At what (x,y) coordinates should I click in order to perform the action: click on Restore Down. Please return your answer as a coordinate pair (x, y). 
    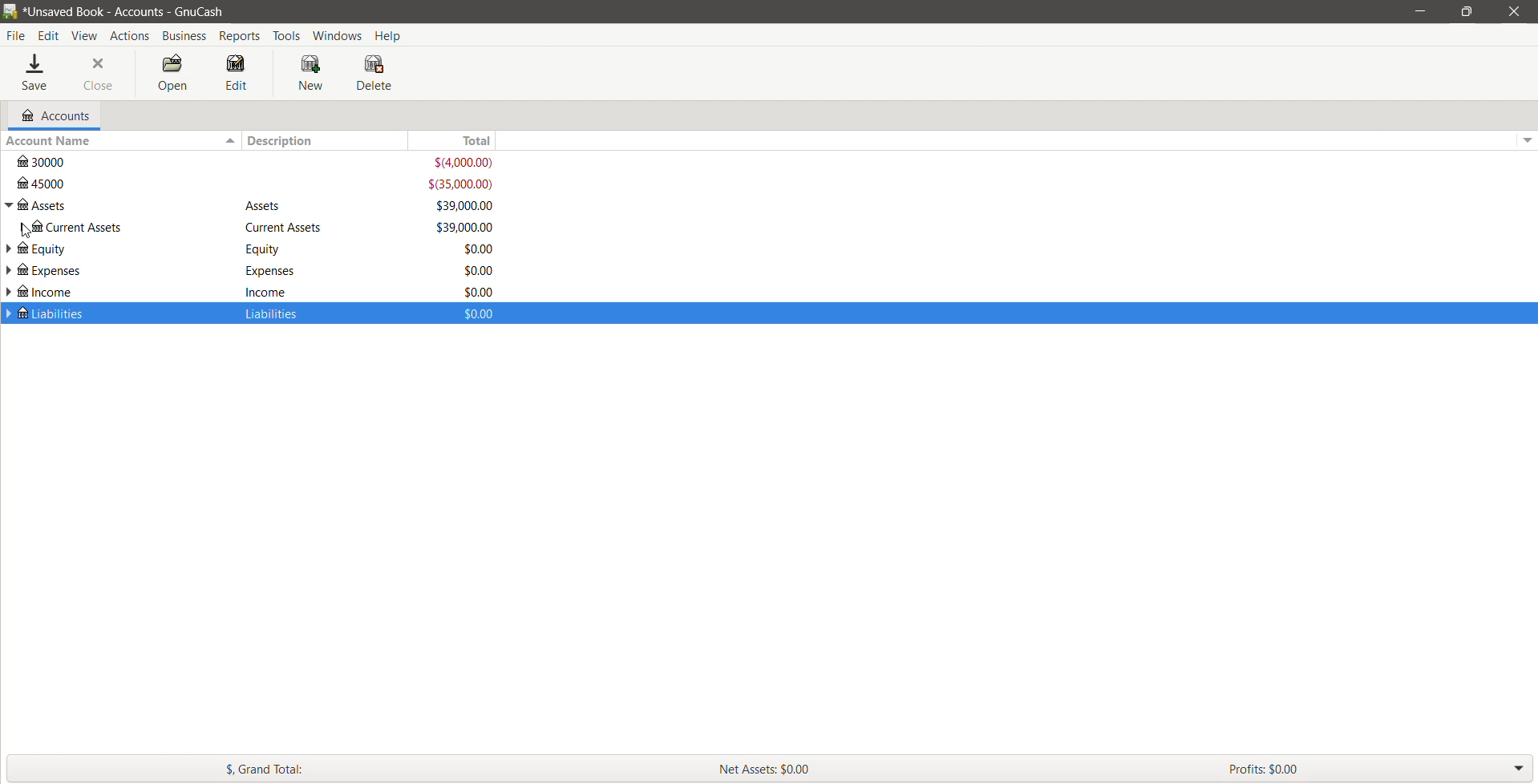
    Looking at the image, I should click on (1467, 11).